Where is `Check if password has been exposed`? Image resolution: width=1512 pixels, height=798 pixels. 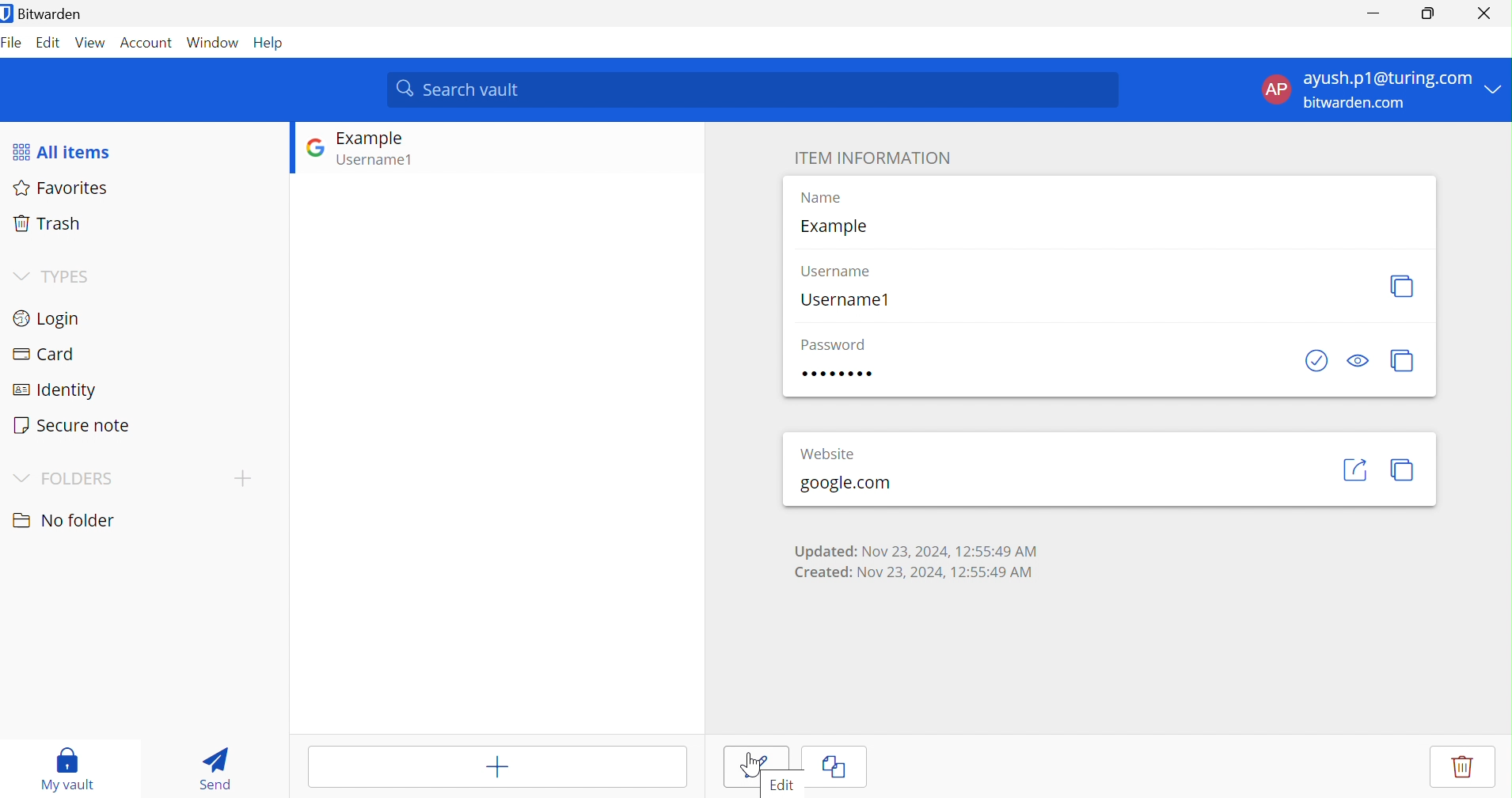 Check if password has been exposed is located at coordinates (1316, 359).